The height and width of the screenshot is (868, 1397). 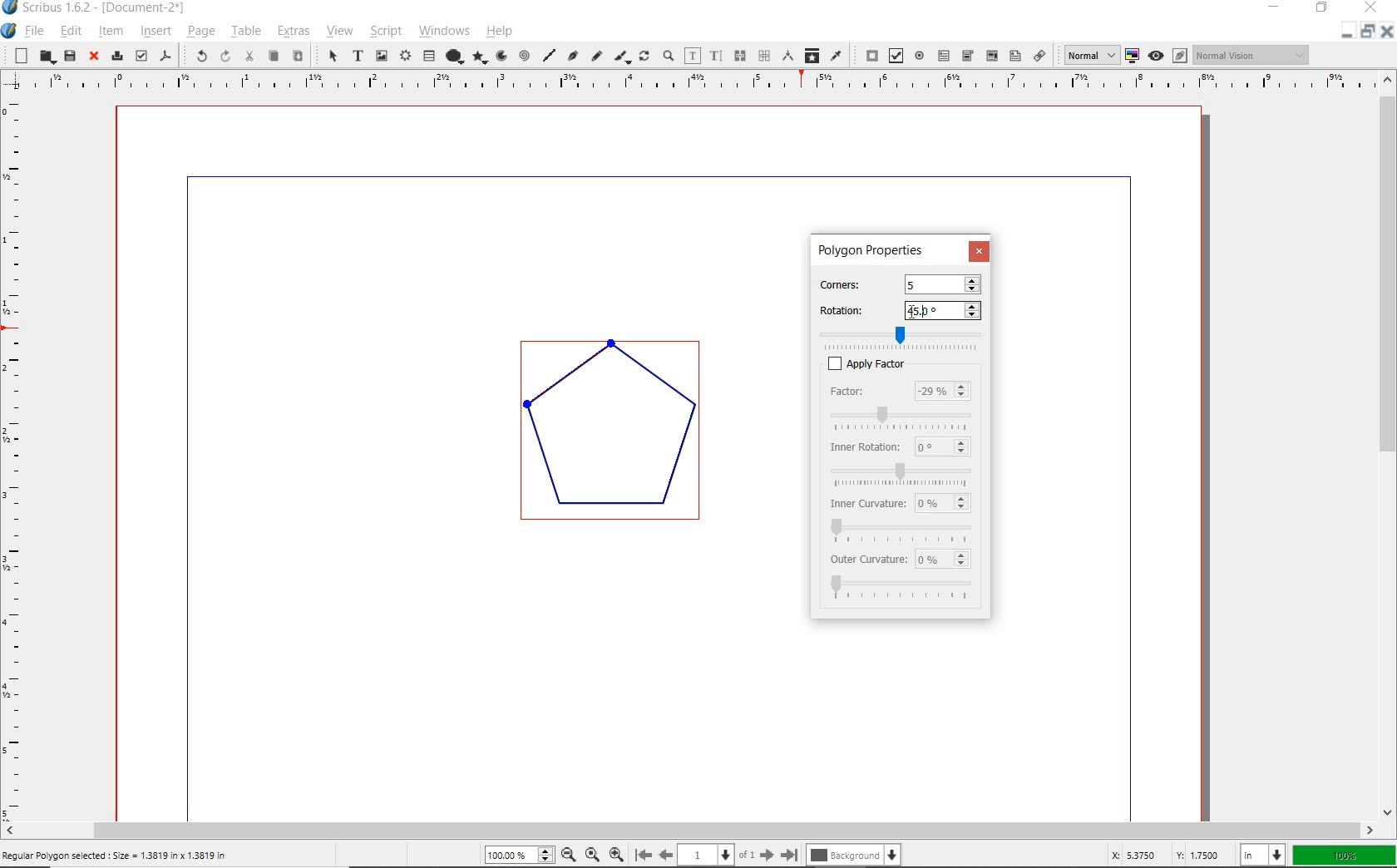 What do you see at coordinates (384, 32) in the screenshot?
I see `script` at bounding box center [384, 32].